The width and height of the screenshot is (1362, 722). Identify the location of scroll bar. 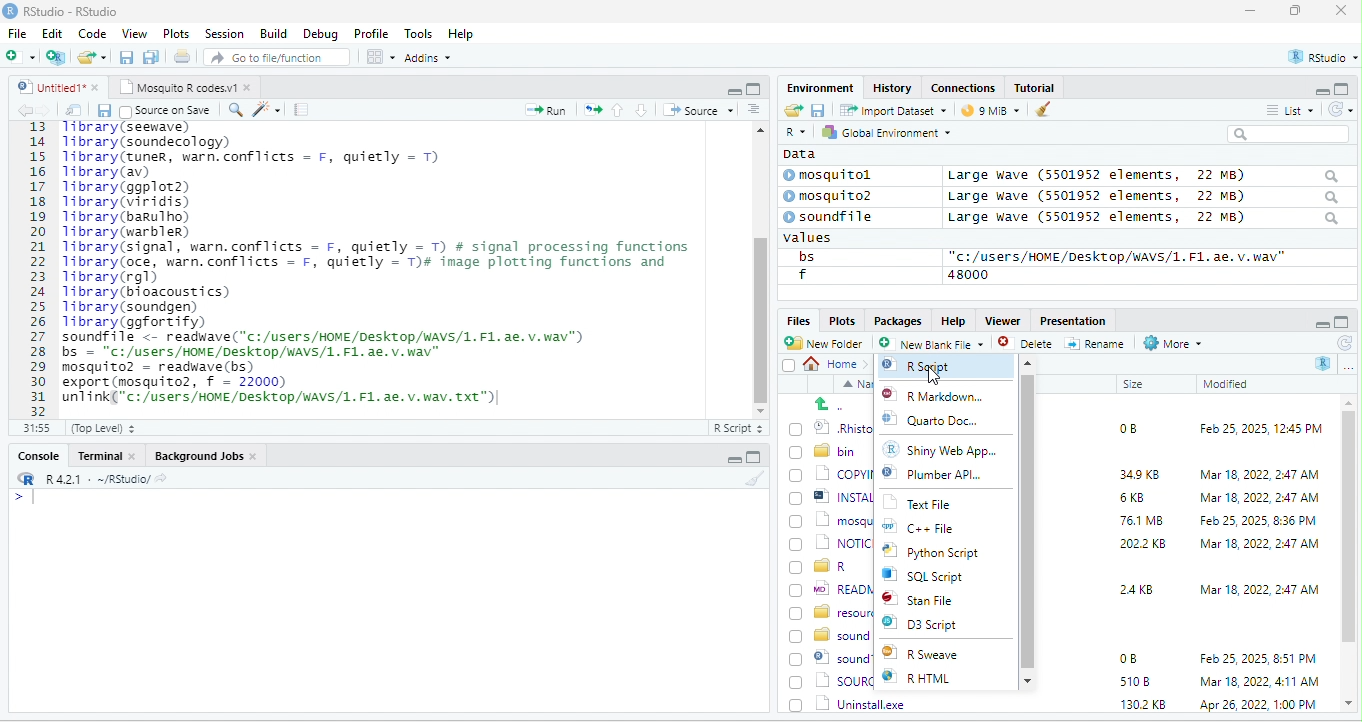
(1349, 554).